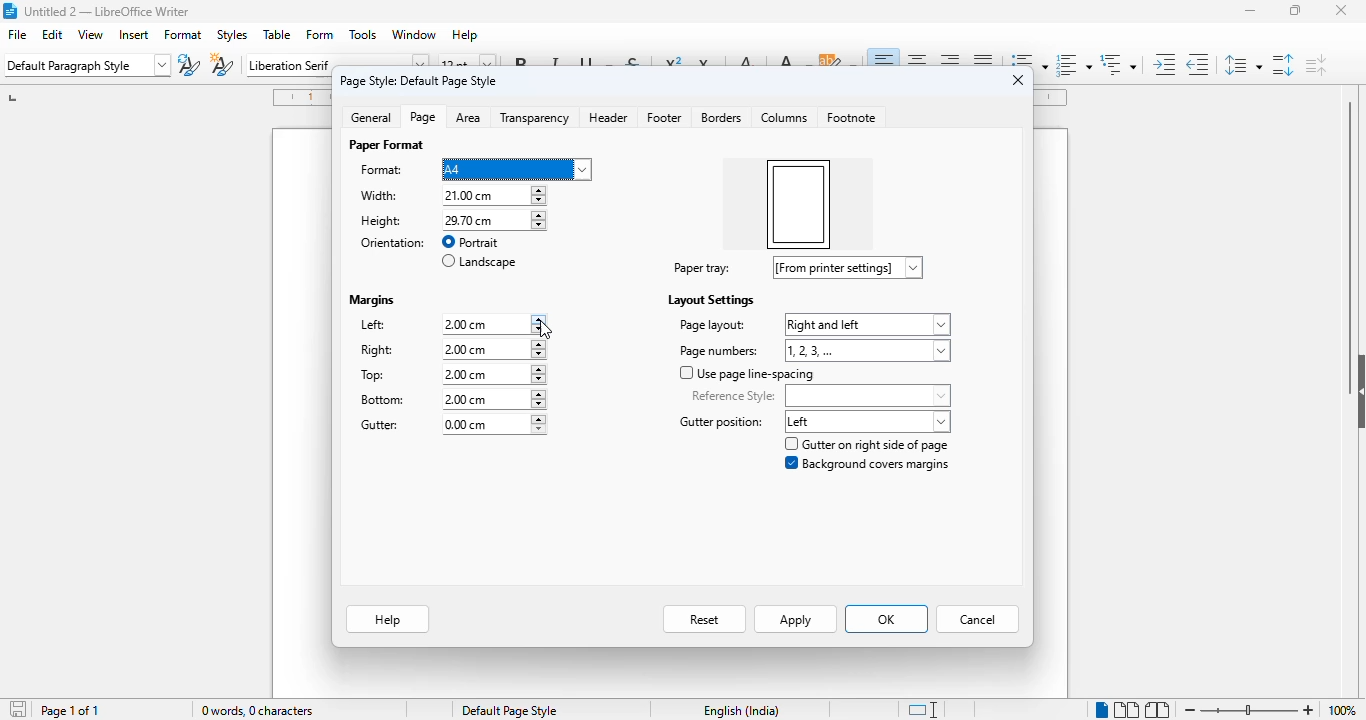 The image size is (1366, 720). Describe the element at coordinates (1248, 711) in the screenshot. I see `zoom in or zoom out bar` at that location.